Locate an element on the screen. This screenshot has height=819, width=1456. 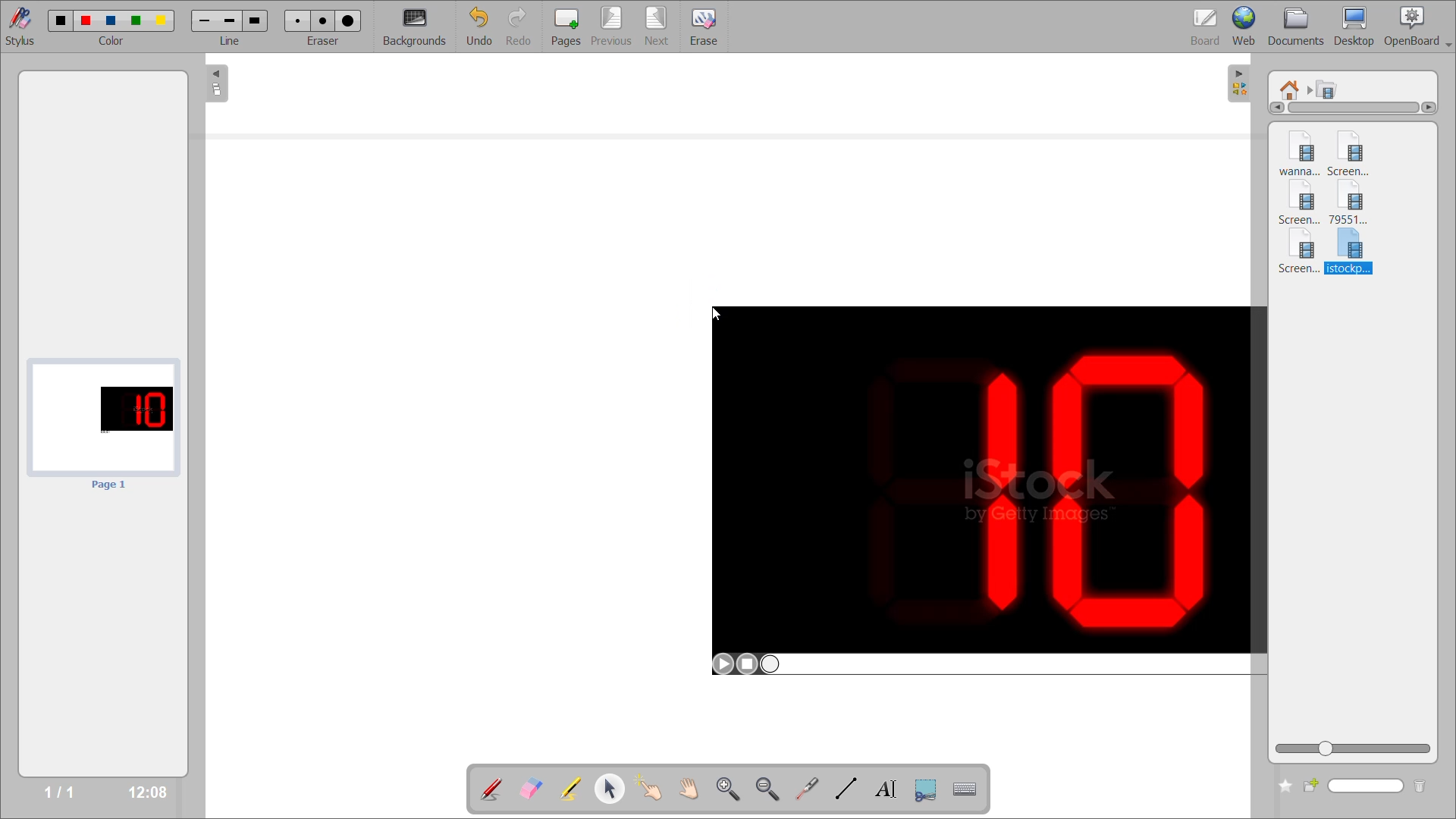
movies is located at coordinates (1332, 89).